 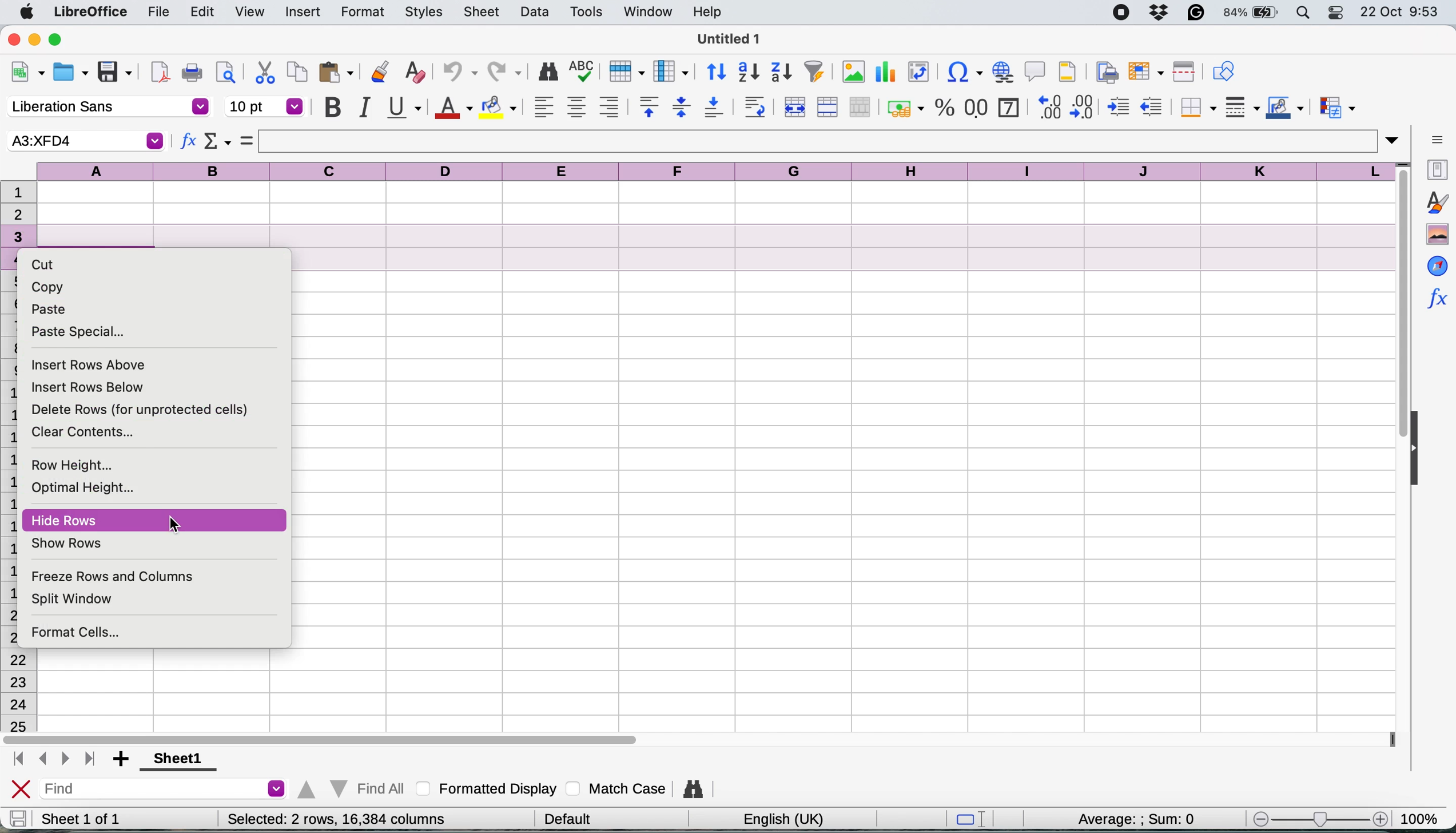 What do you see at coordinates (681, 106) in the screenshot?
I see `center vertically` at bounding box center [681, 106].